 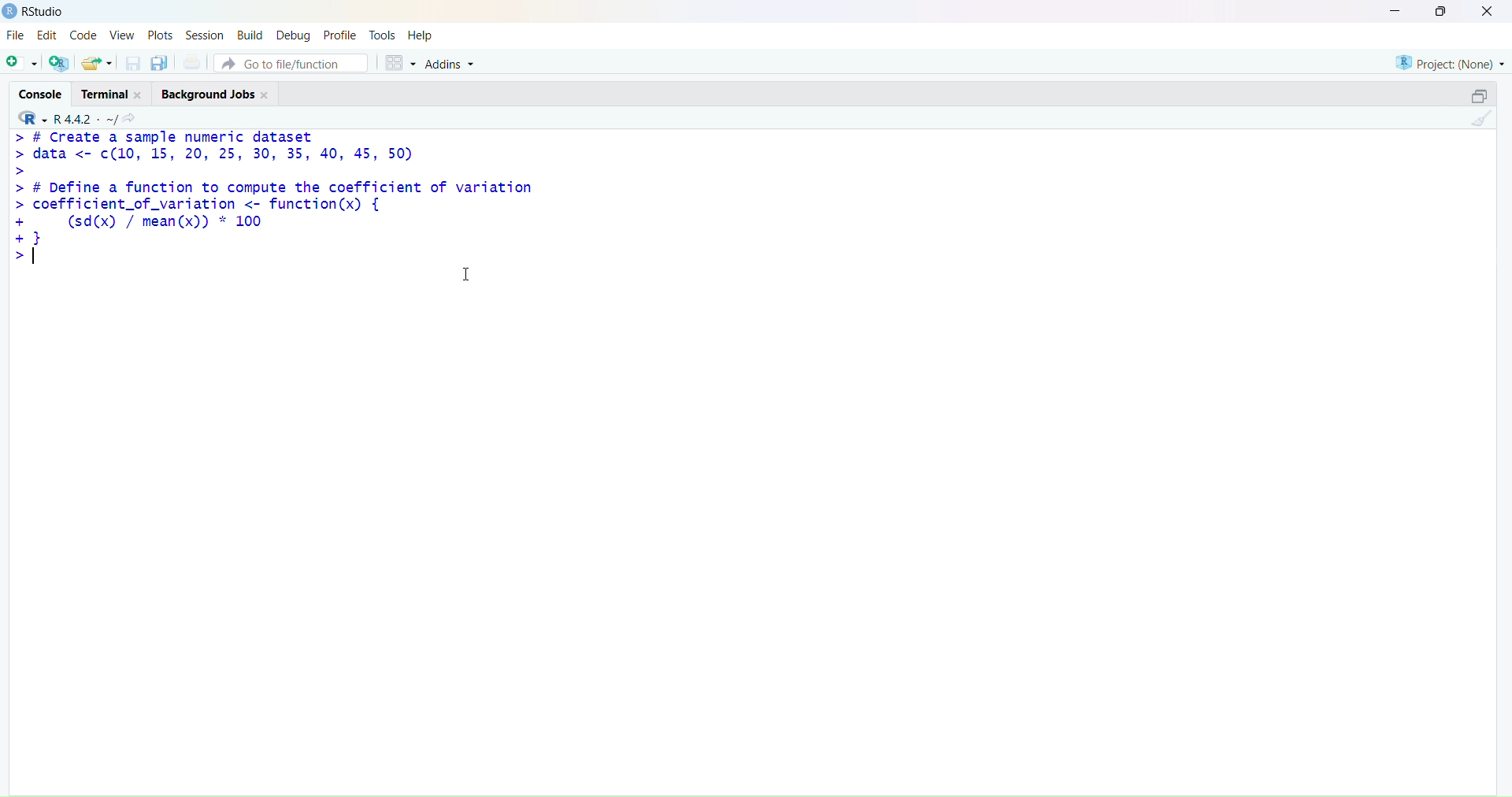 What do you see at coordinates (384, 34) in the screenshot?
I see `tools` at bounding box center [384, 34].